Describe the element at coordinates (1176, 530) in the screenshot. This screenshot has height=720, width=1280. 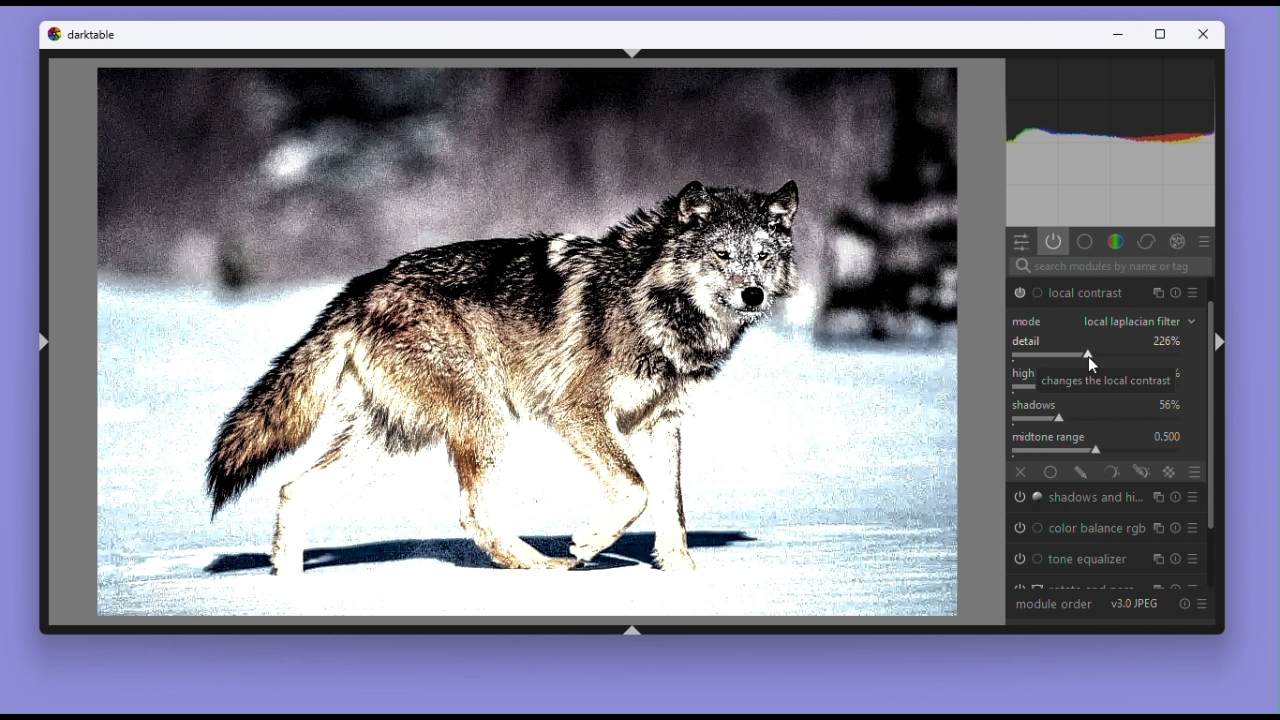
I see `reset parameters` at that location.